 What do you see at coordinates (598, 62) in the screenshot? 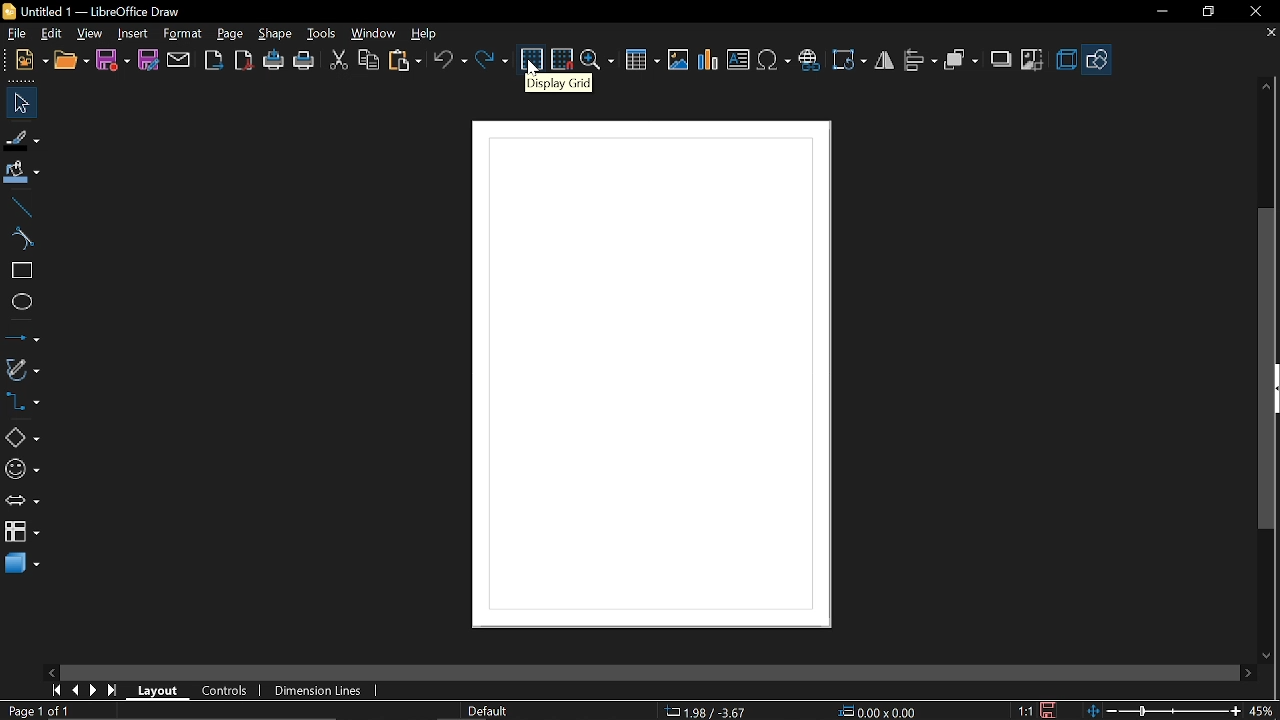
I see `zoom` at bounding box center [598, 62].